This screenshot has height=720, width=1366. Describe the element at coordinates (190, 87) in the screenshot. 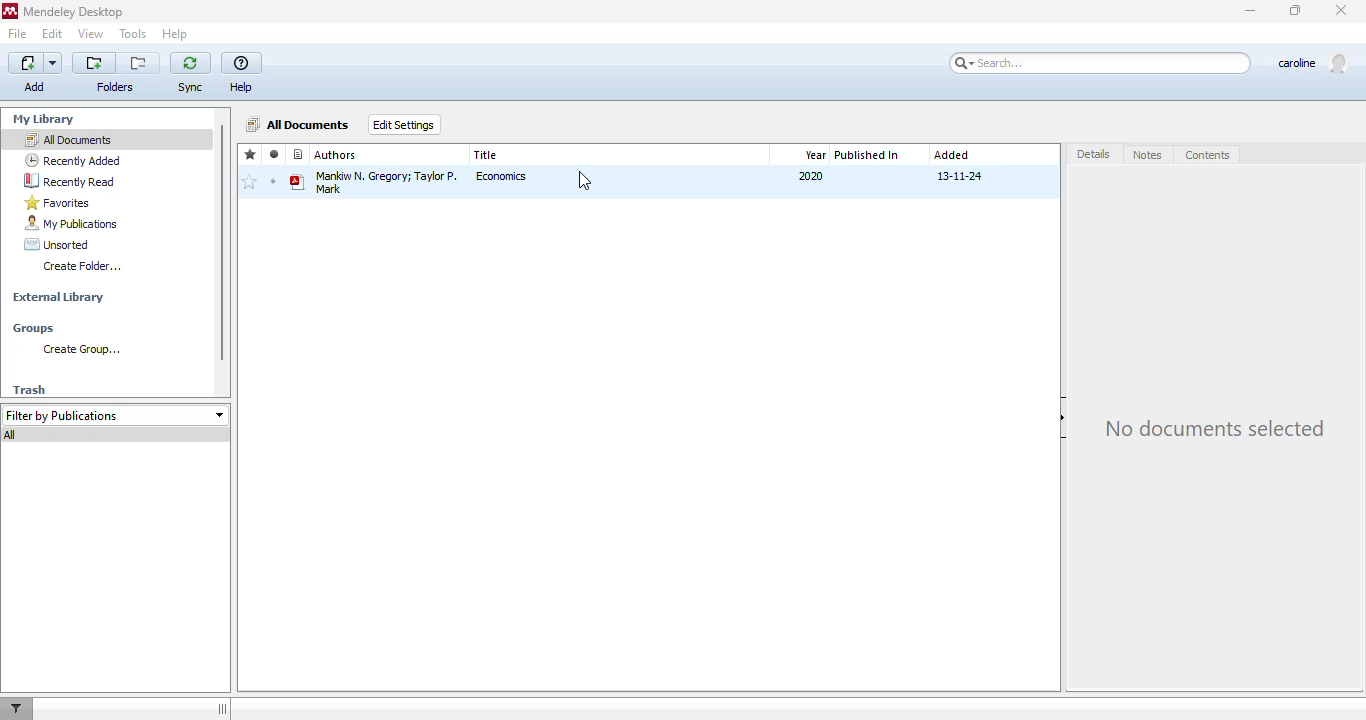

I see `sync` at that location.